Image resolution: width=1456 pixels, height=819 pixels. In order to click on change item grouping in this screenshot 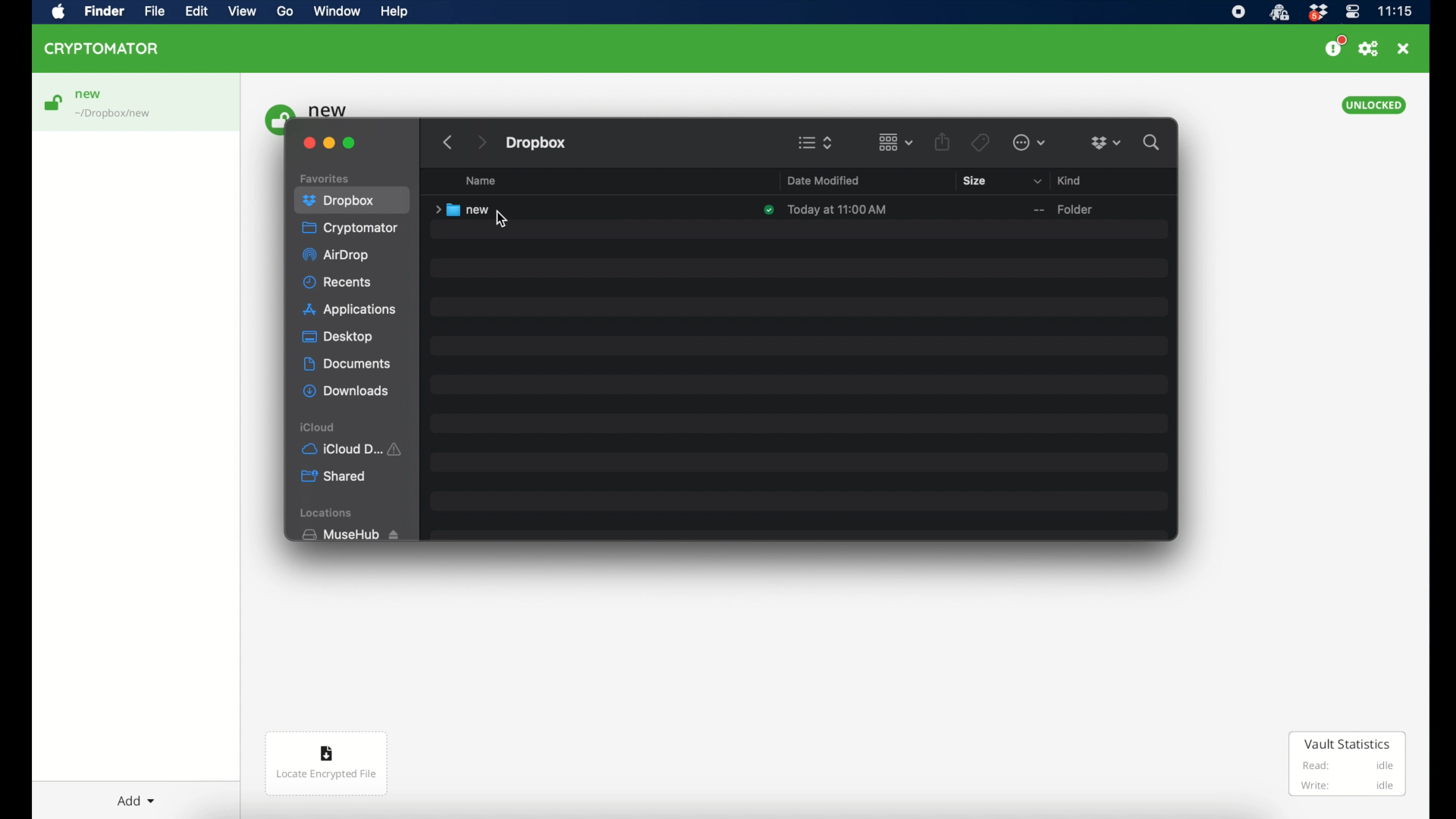, I will do `click(896, 143)`.